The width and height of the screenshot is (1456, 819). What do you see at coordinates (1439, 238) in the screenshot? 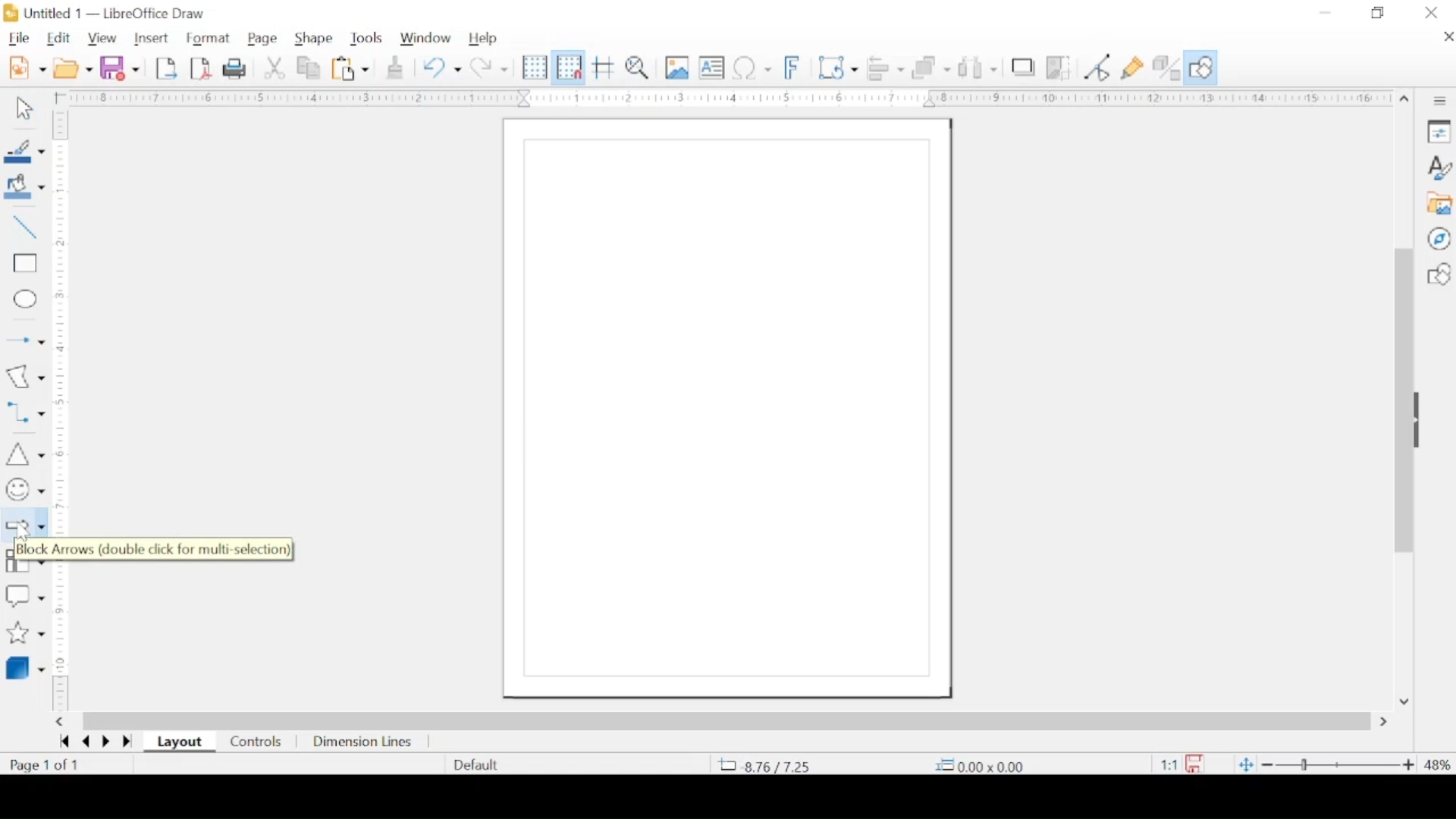
I see `navigator` at bounding box center [1439, 238].